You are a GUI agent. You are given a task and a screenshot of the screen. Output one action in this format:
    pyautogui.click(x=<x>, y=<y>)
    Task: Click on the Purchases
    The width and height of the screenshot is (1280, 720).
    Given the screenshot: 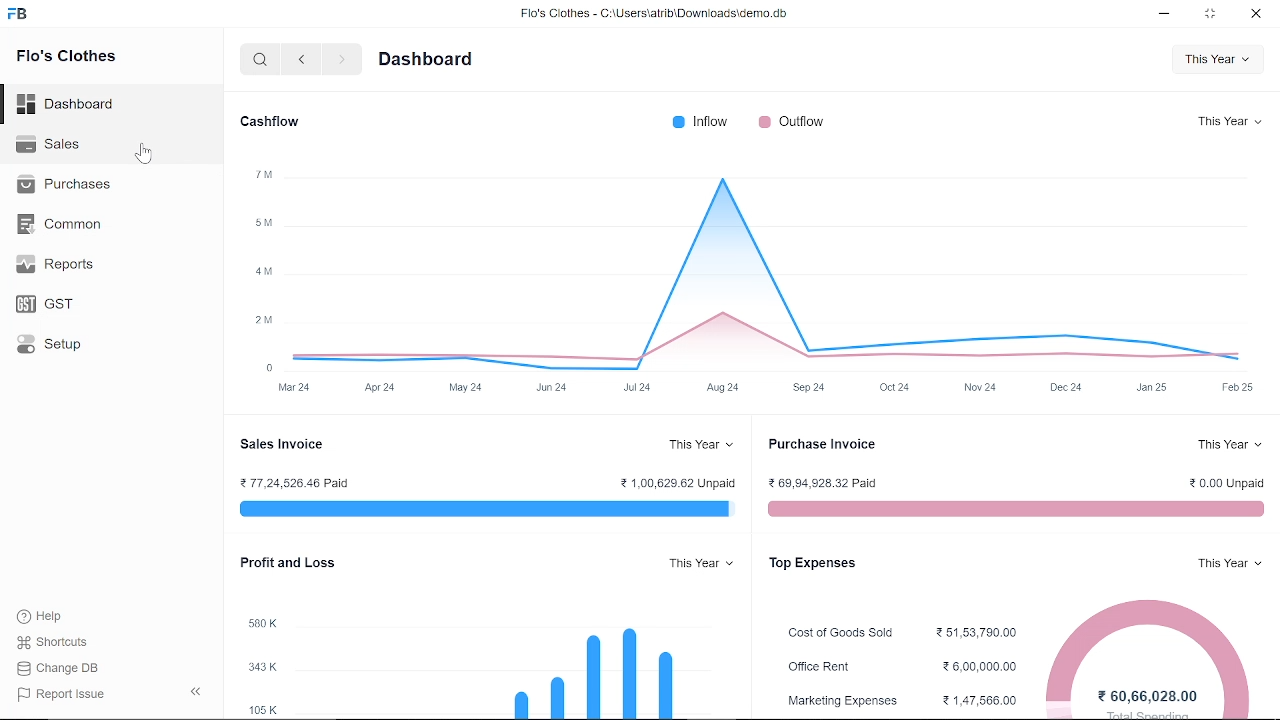 What is the action you would take?
    pyautogui.click(x=68, y=185)
    